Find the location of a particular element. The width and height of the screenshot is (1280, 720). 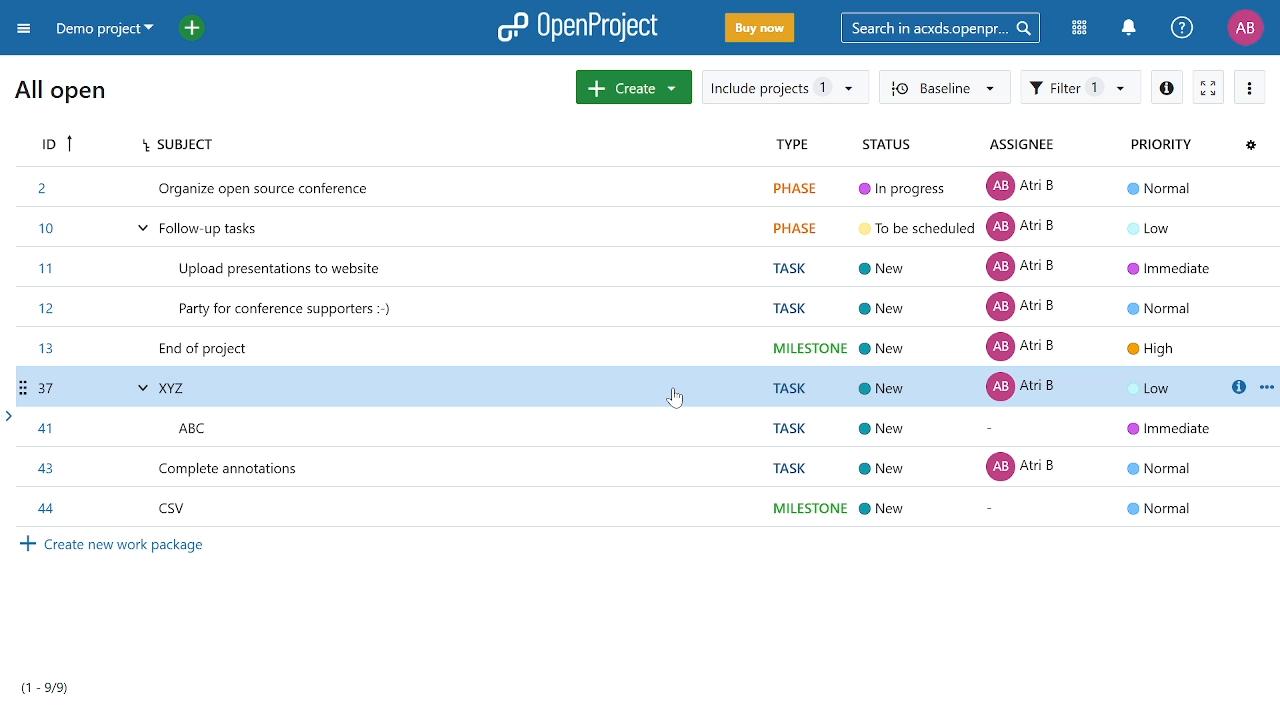

Notifications is located at coordinates (1130, 29).